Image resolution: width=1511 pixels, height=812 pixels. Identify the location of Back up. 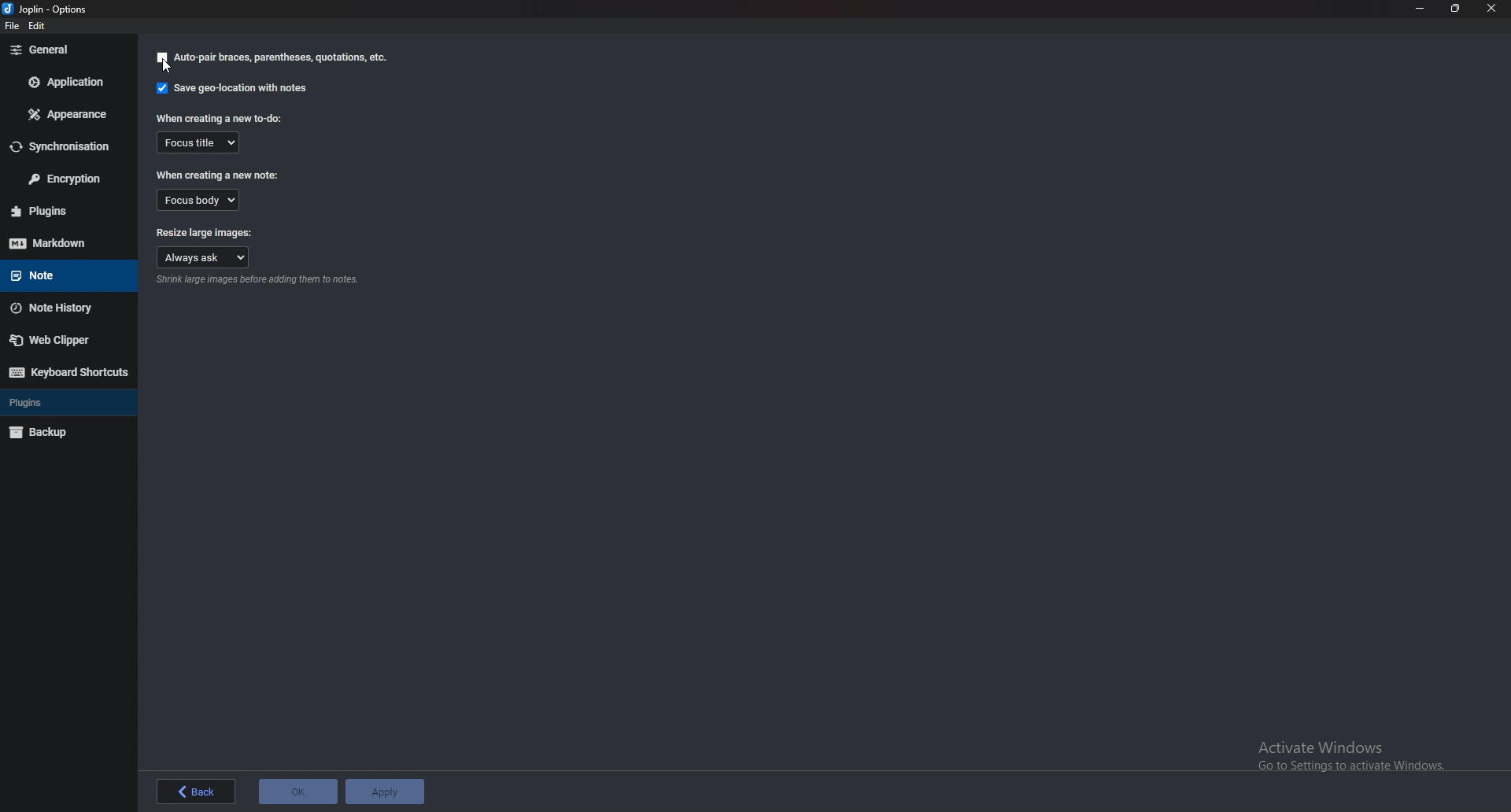
(65, 433).